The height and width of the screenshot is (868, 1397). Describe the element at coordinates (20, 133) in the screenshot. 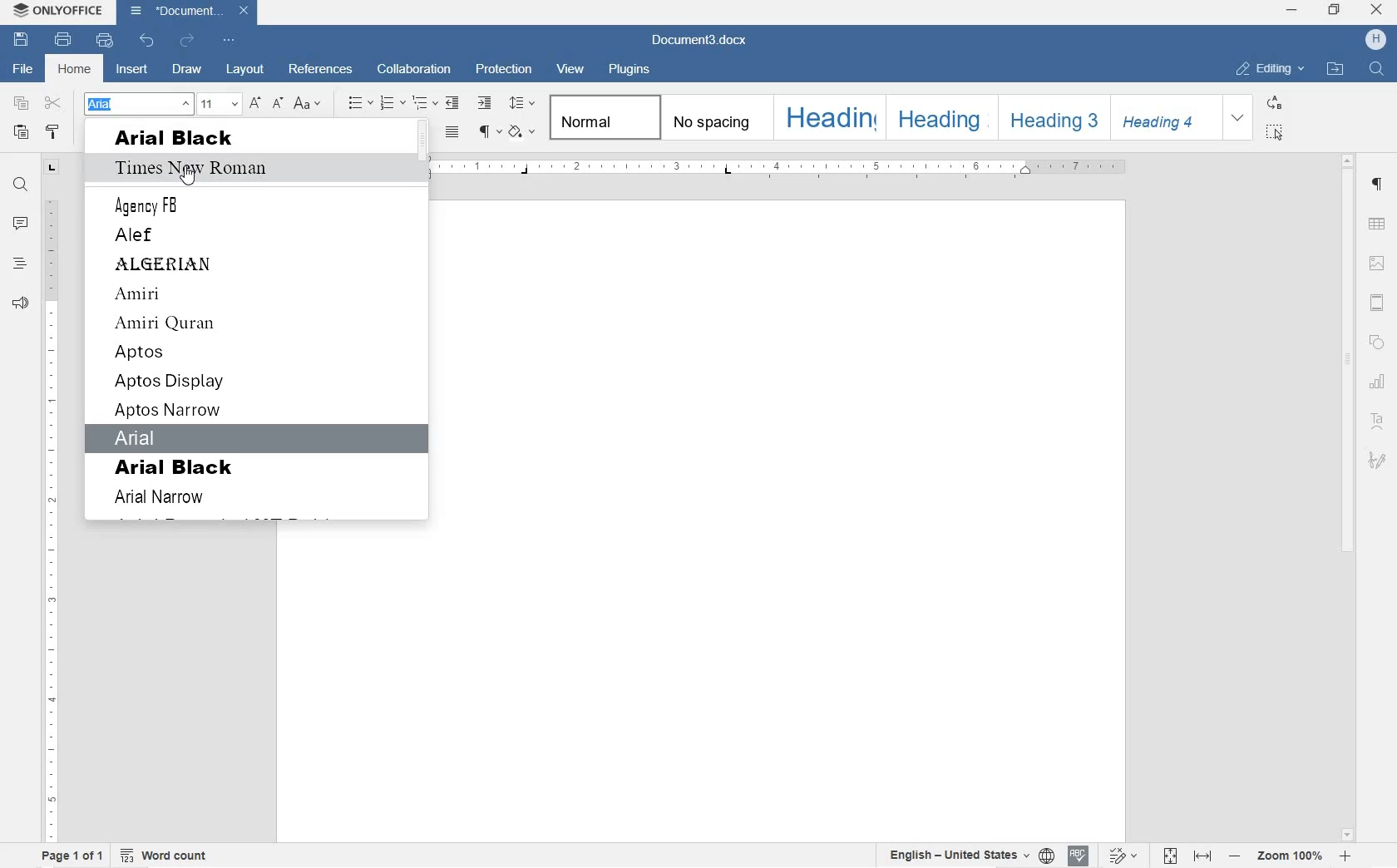

I see `PASTE` at that location.